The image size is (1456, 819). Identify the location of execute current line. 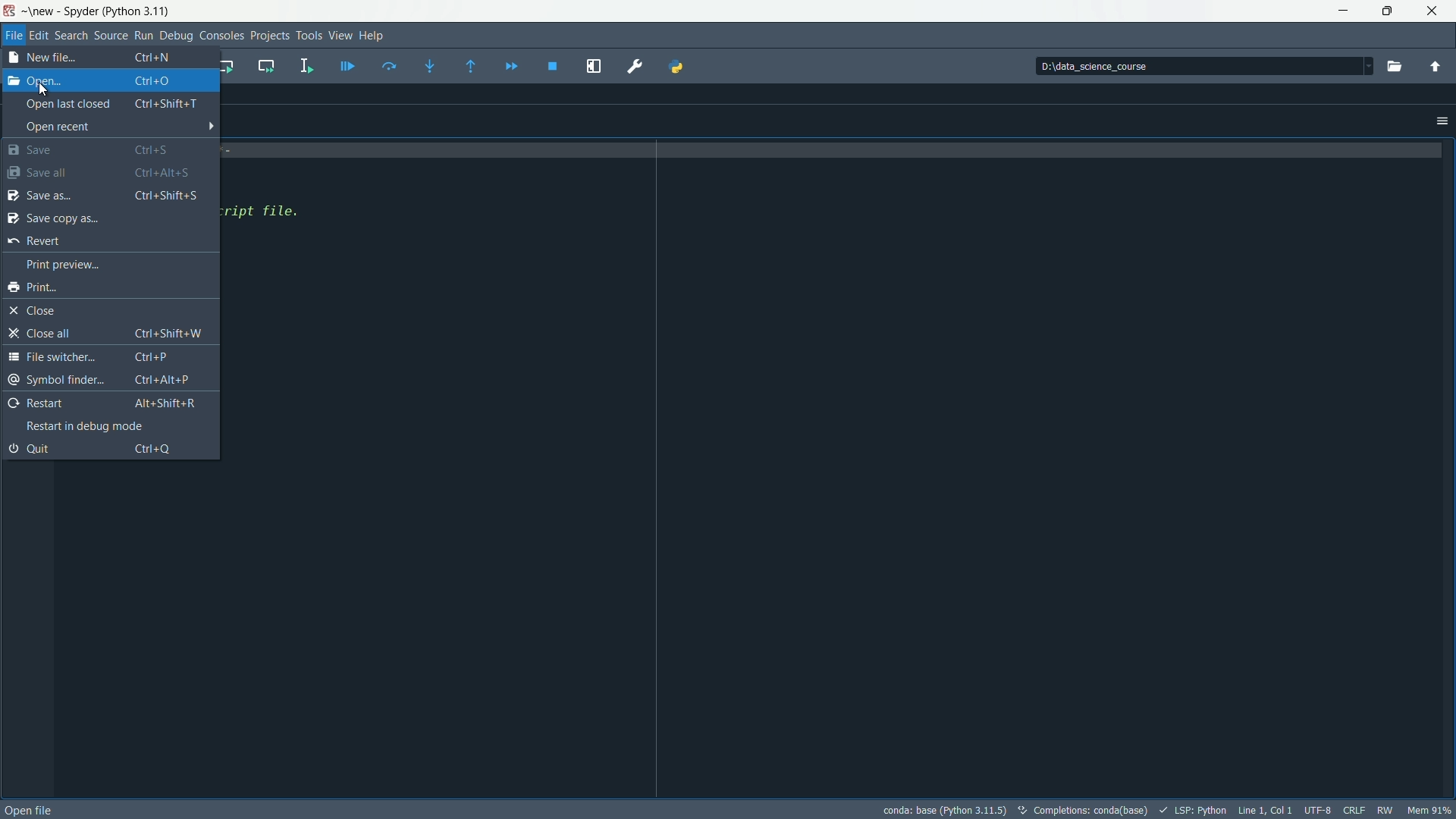
(390, 67).